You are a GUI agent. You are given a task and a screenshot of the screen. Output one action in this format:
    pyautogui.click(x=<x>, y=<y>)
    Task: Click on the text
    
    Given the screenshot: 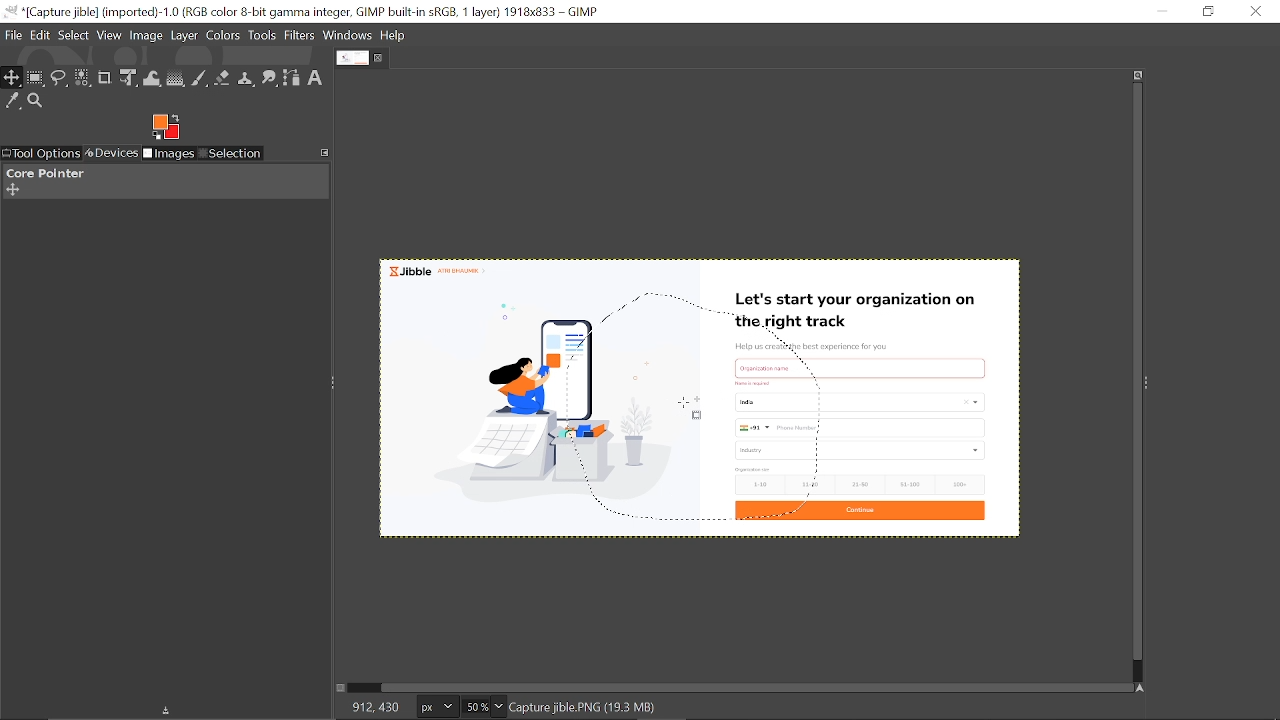 What is the action you would take?
    pyautogui.click(x=779, y=367)
    